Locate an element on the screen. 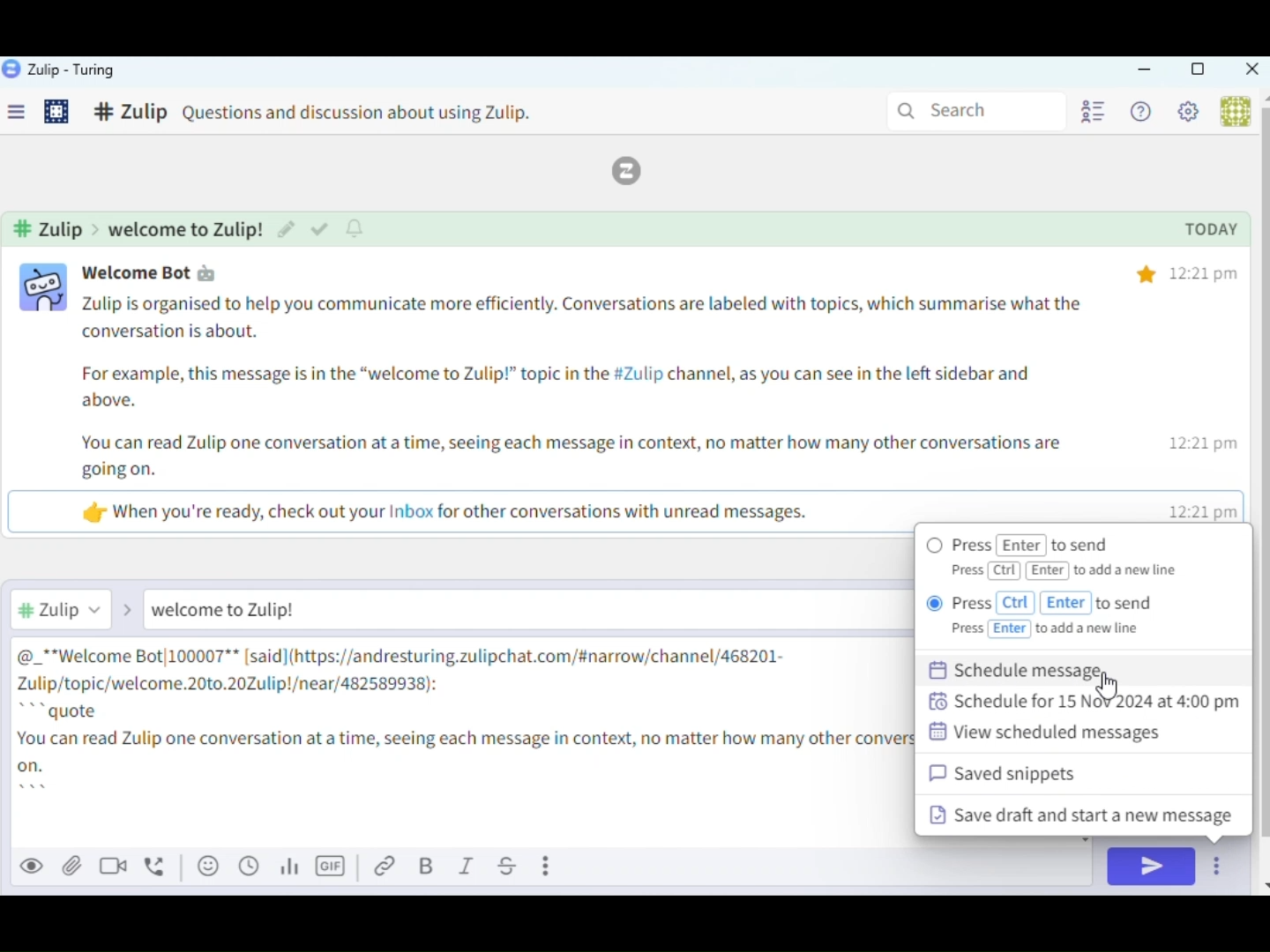 The height and width of the screenshot is (952, 1270). new line shortcut is located at coordinates (1073, 572).